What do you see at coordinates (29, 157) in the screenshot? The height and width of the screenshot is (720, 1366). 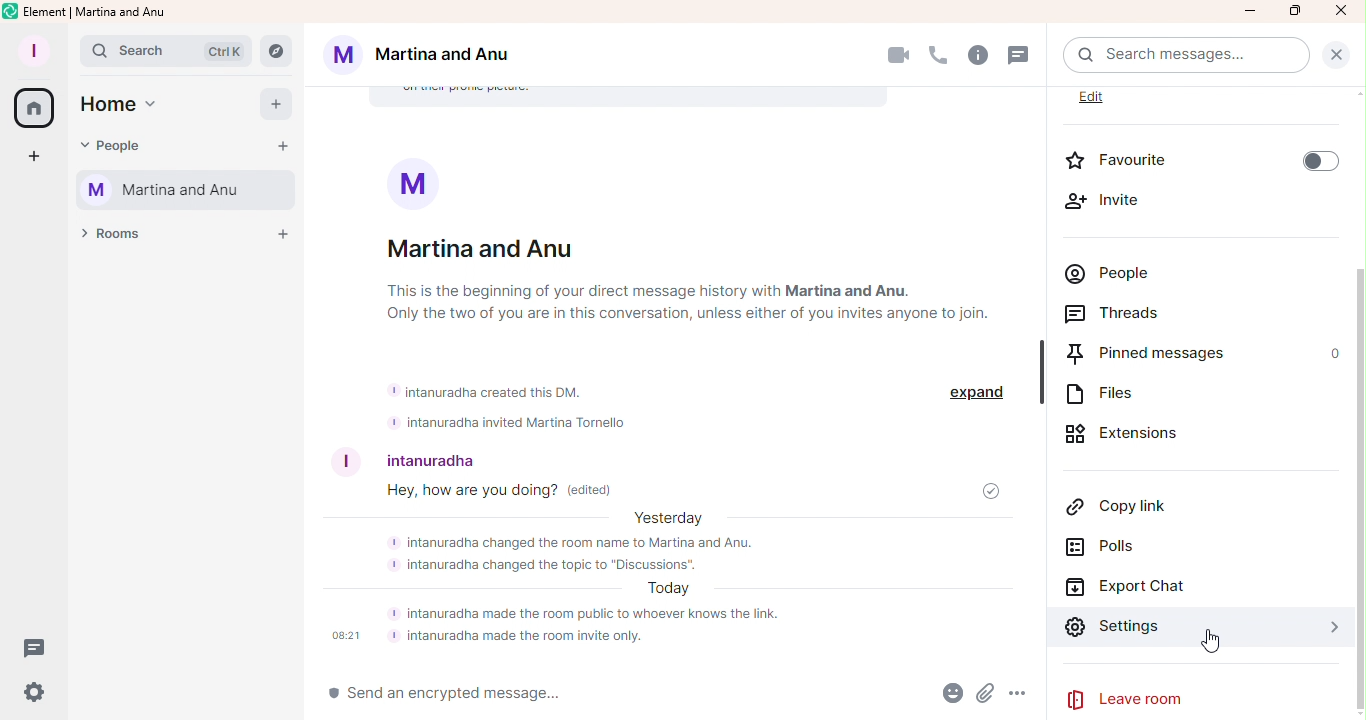 I see `Create a space` at bounding box center [29, 157].